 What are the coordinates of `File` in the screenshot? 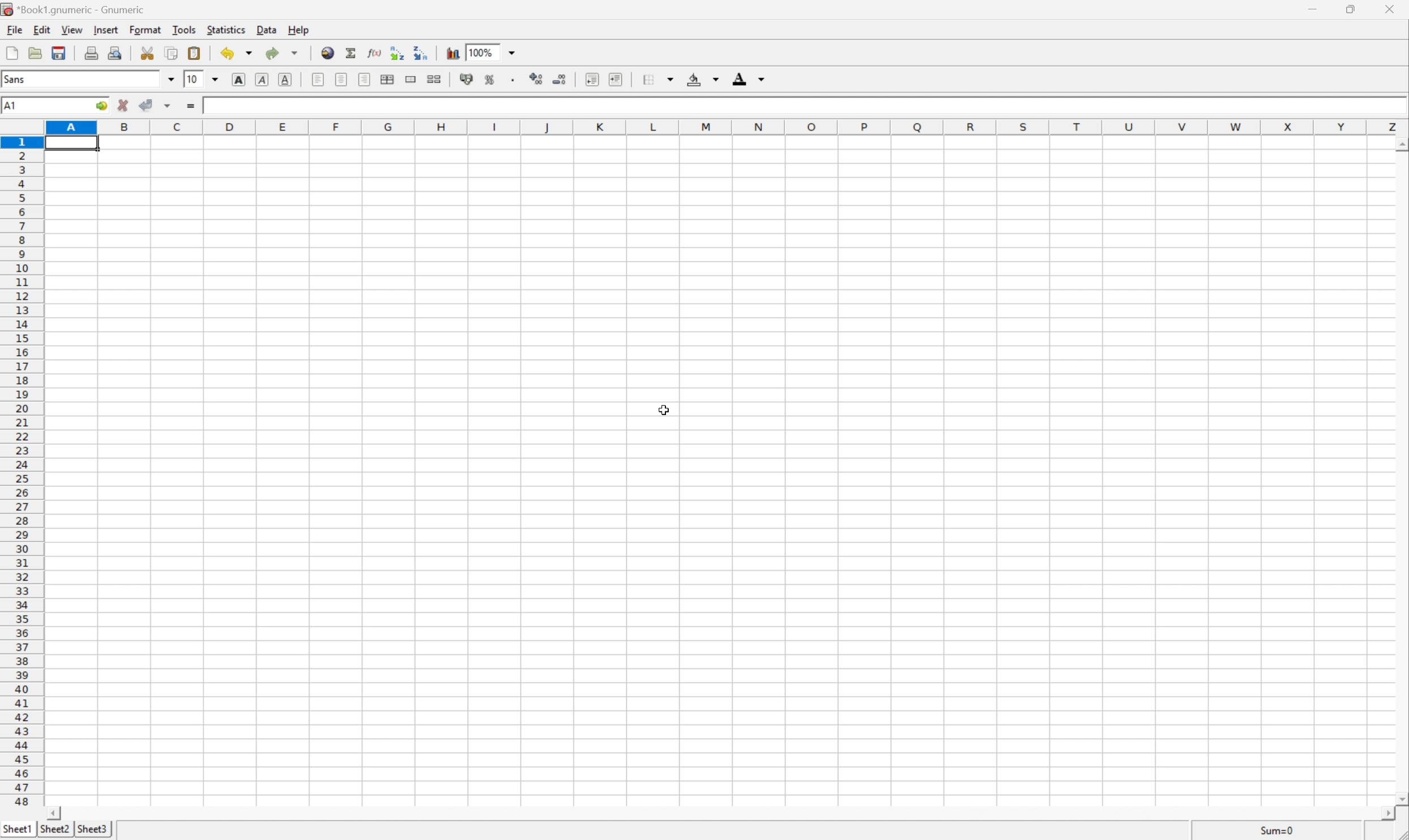 It's located at (15, 29).